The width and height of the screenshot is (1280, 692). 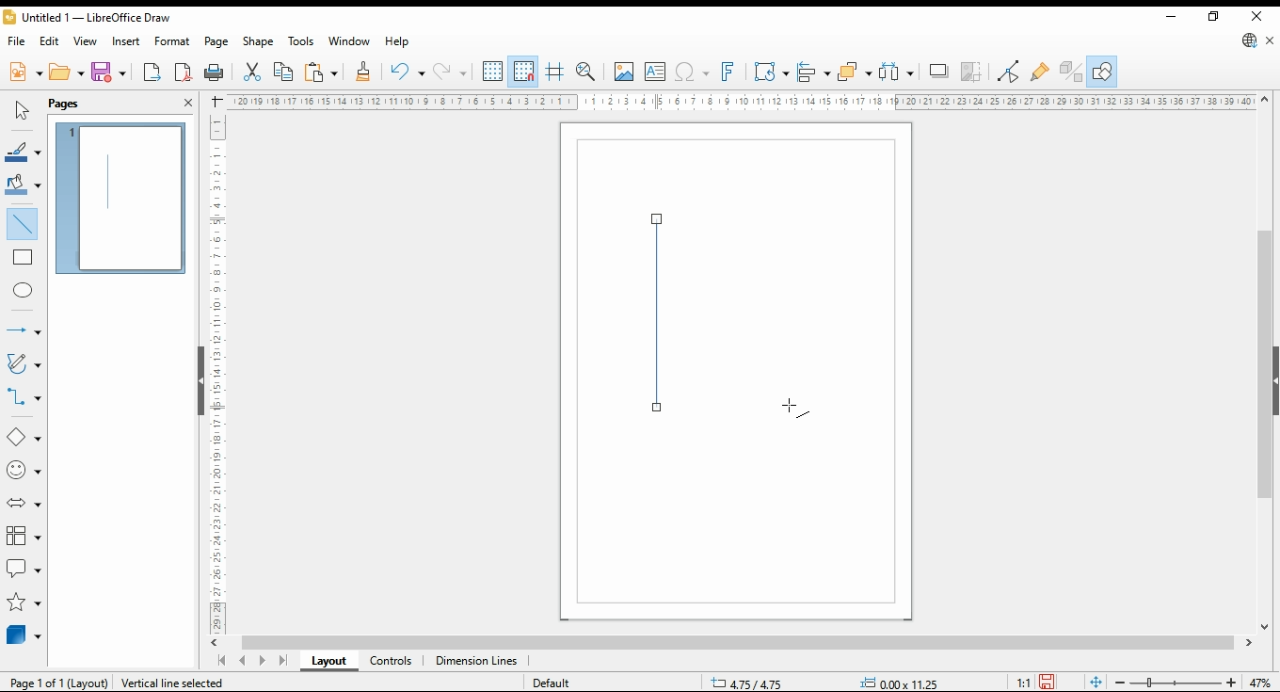 I want to click on edit, so click(x=52, y=43).